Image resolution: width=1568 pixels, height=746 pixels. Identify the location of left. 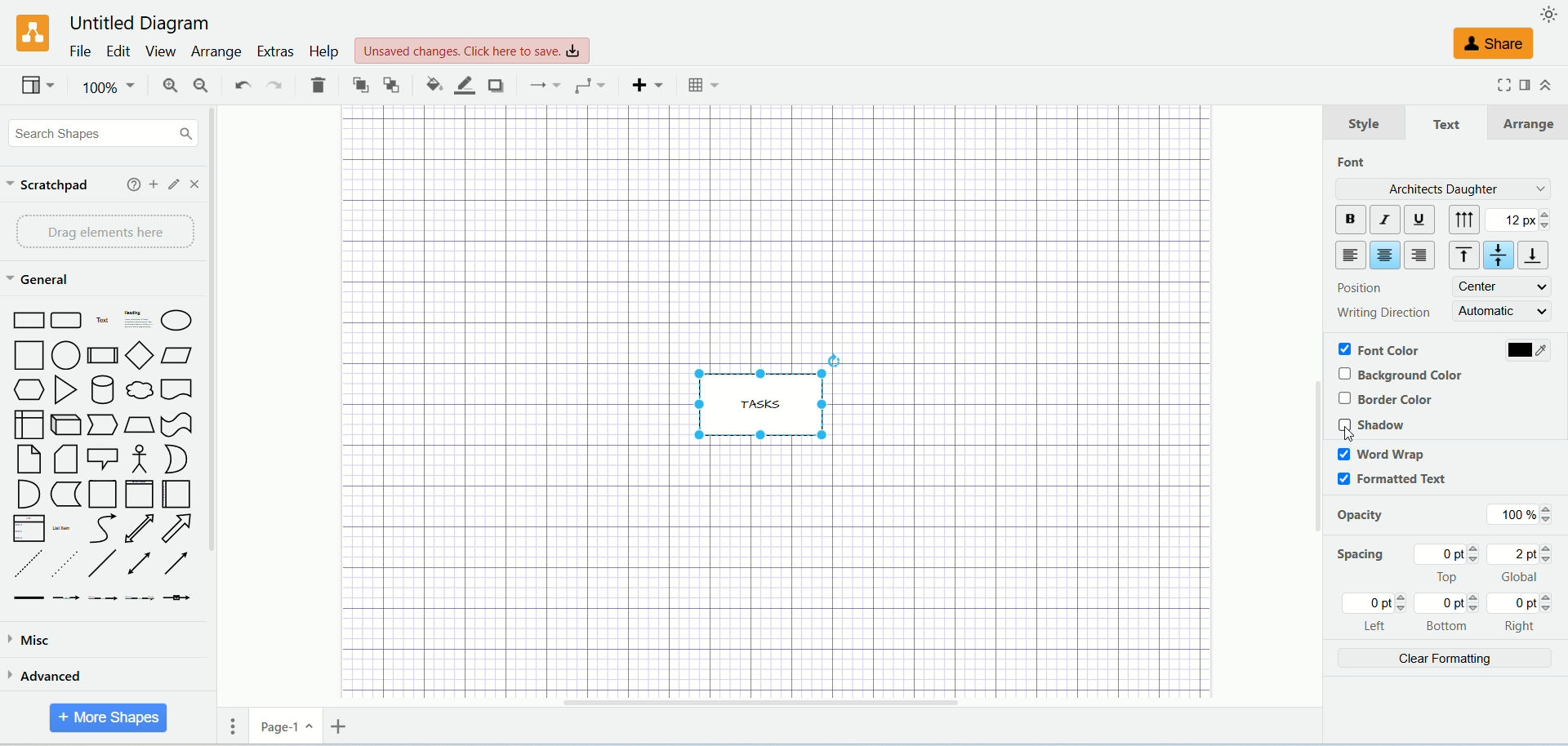
(1351, 255).